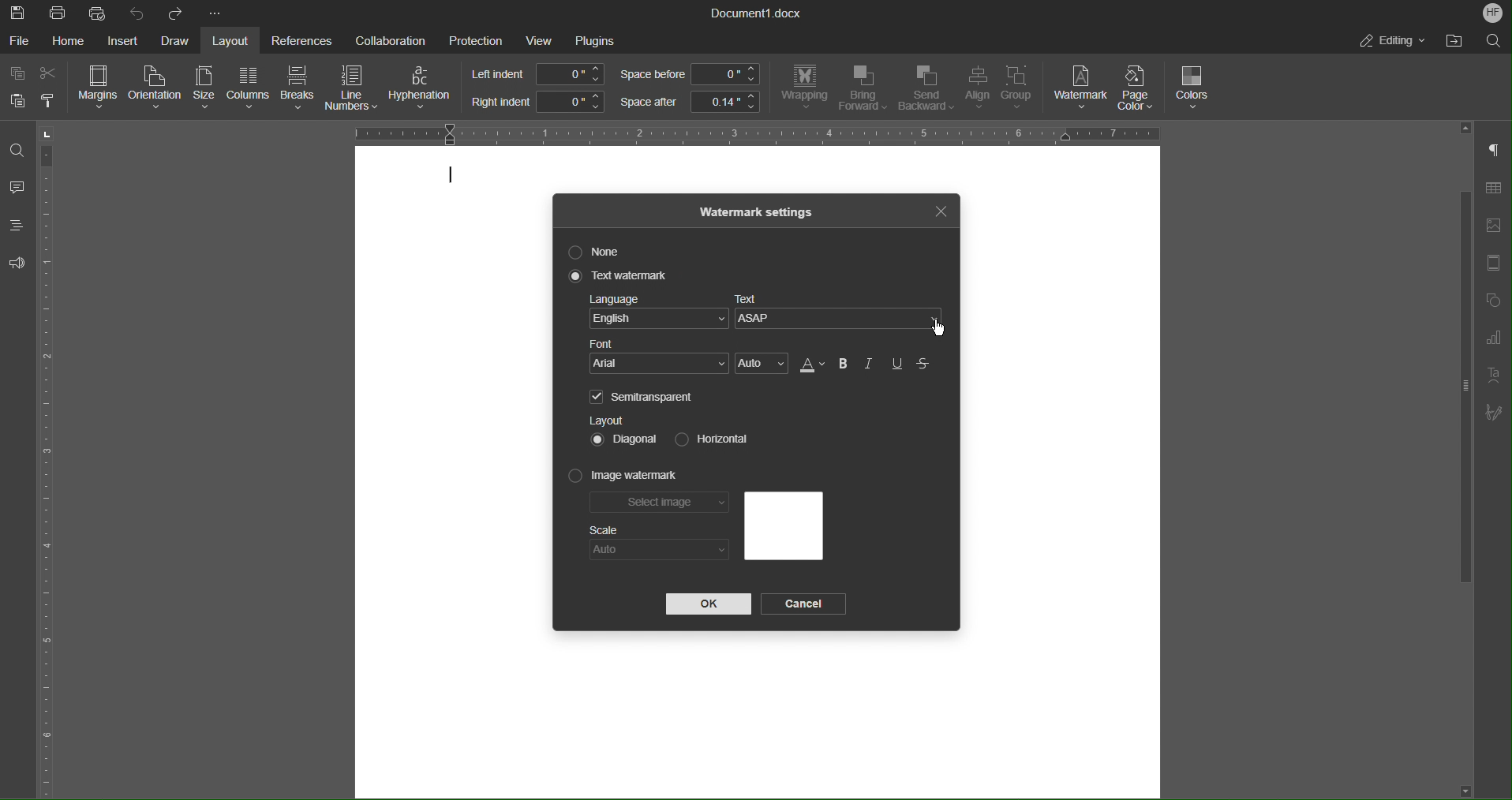 Image resolution: width=1512 pixels, height=800 pixels. I want to click on Left indent, so click(539, 74).